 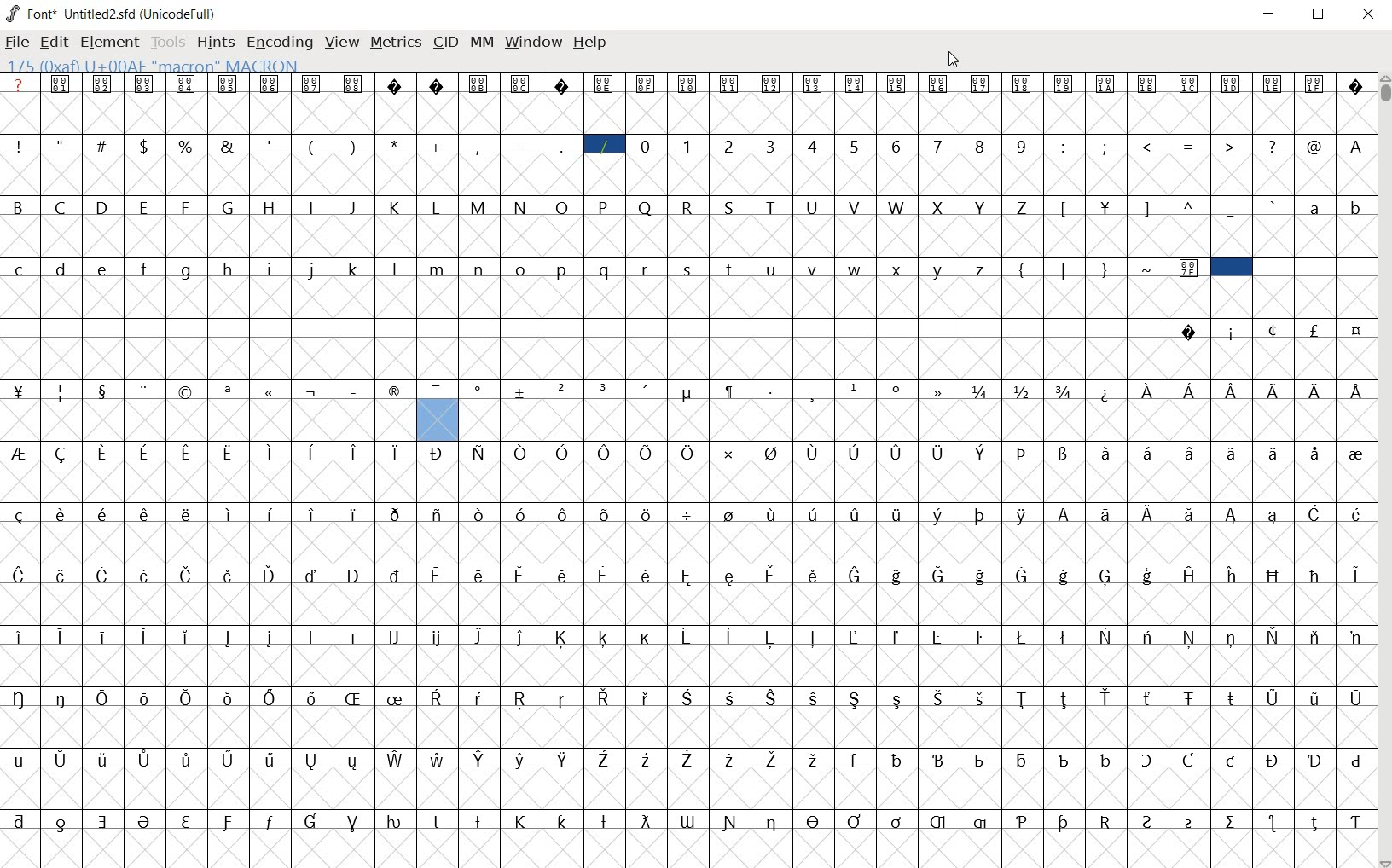 I want to click on ?, so click(x=1271, y=144).